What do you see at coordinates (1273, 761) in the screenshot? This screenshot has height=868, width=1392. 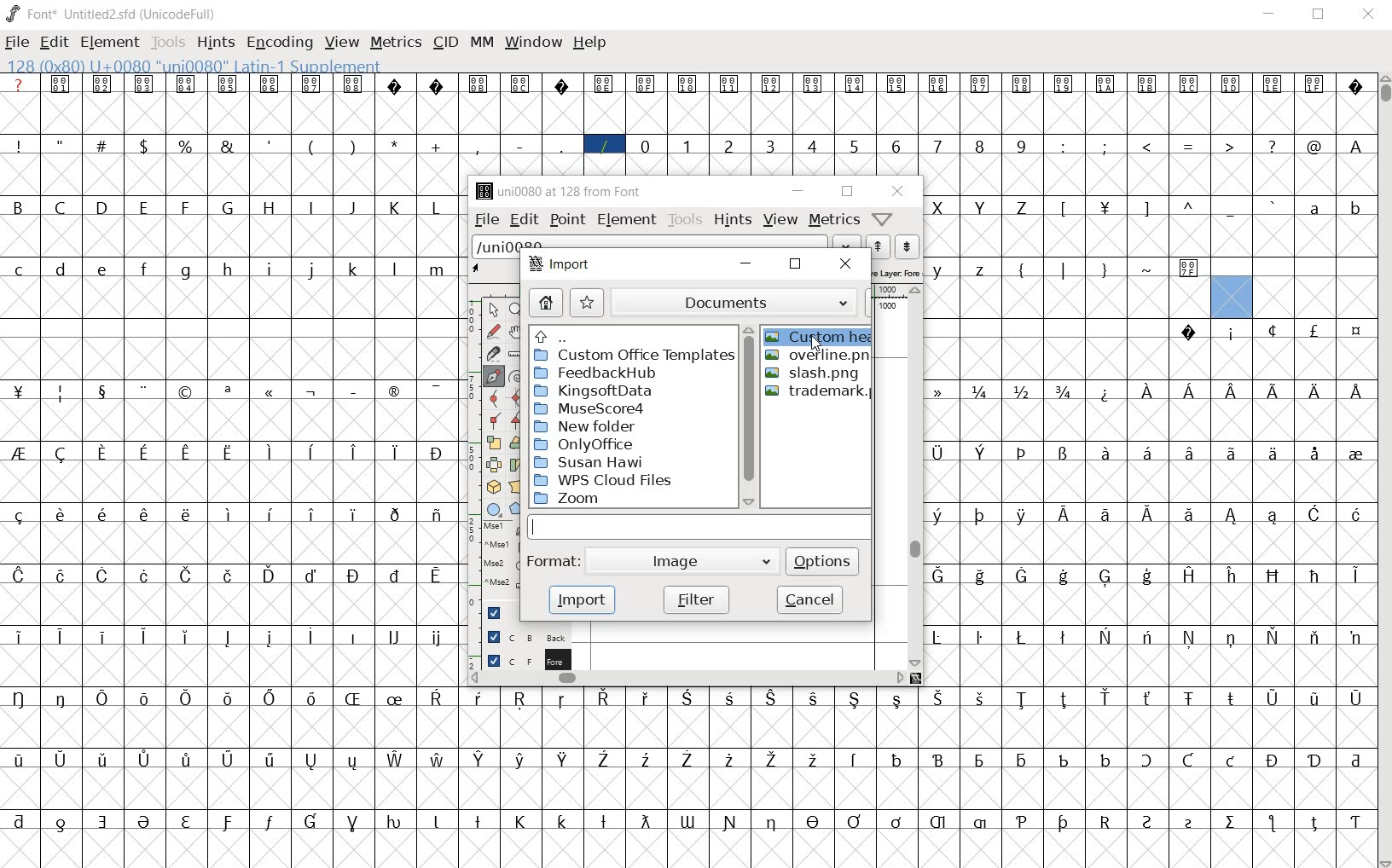 I see `glyph` at bounding box center [1273, 761].